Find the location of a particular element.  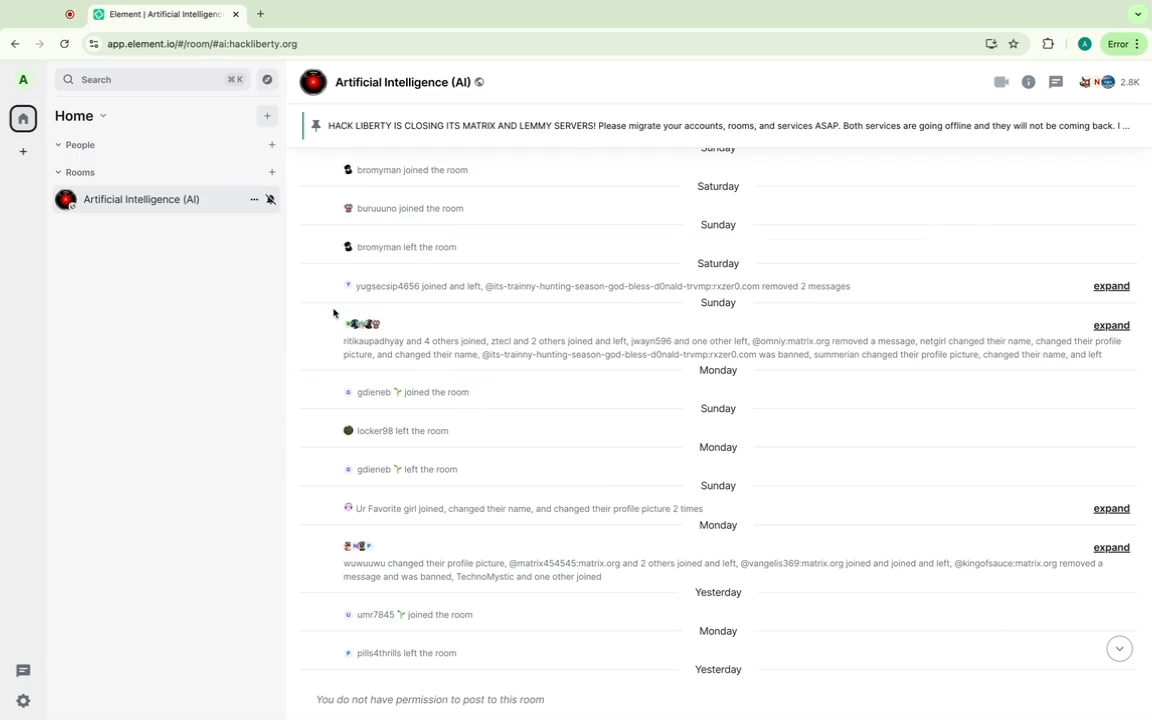

Day is located at coordinates (720, 527).